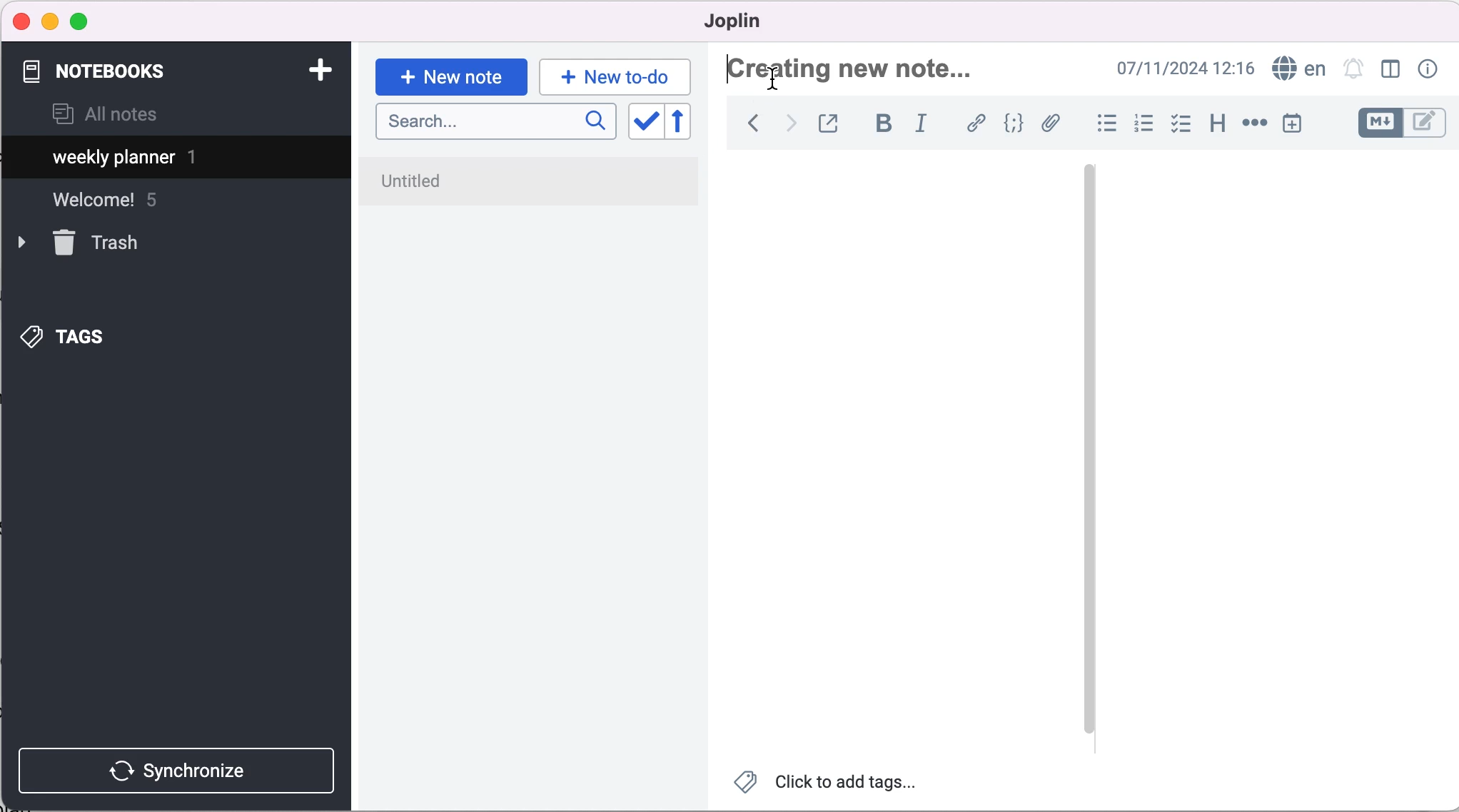 Image resolution: width=1459 pixels, height=812 pixels. Describe the element at coordinates (1394, 71) in the screenshot. I see `toggle editor layout` at that location.